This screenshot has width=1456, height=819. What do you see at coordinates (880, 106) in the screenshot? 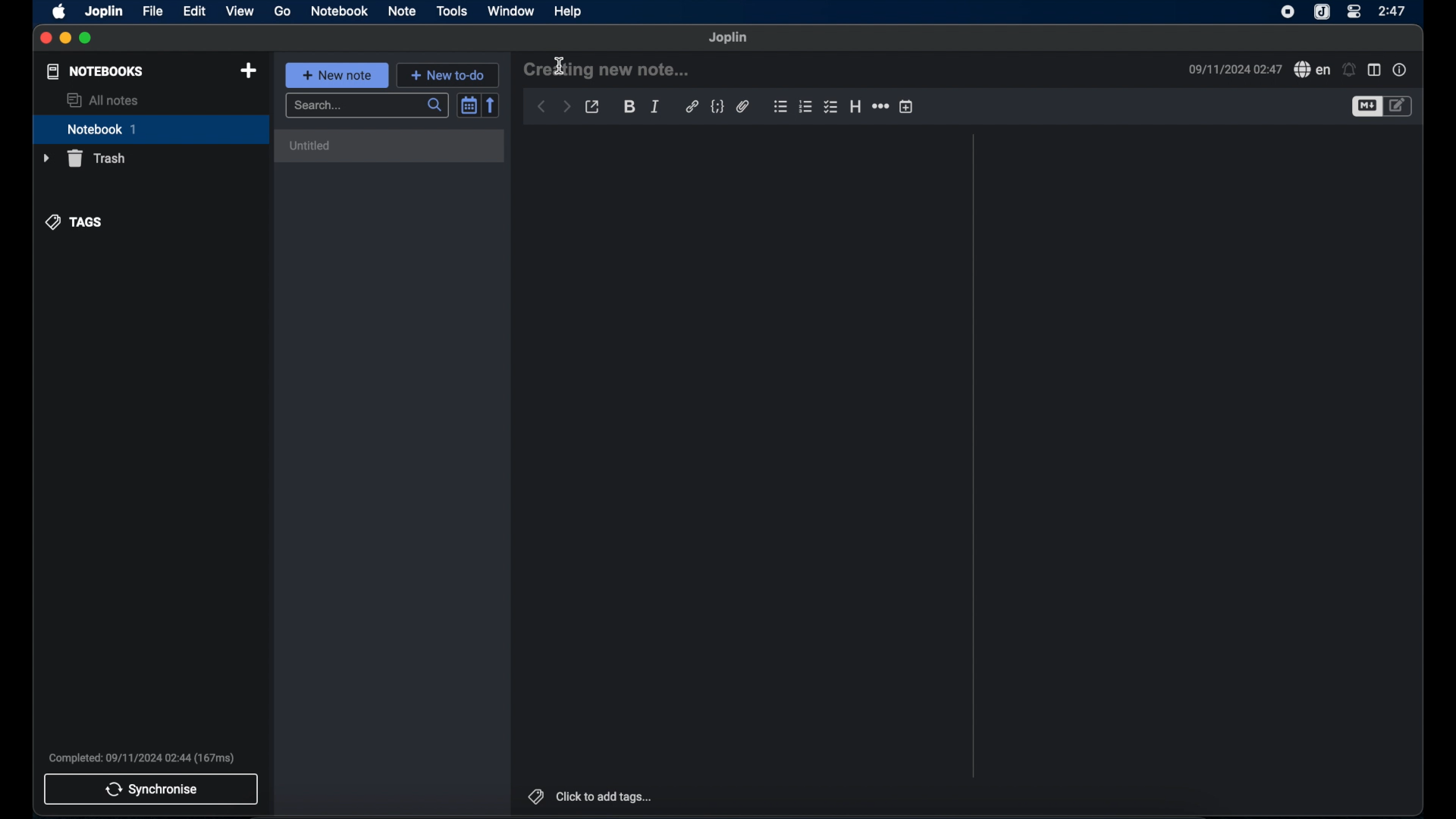
I see `horizontal rule` at bounding box center [880, 106].